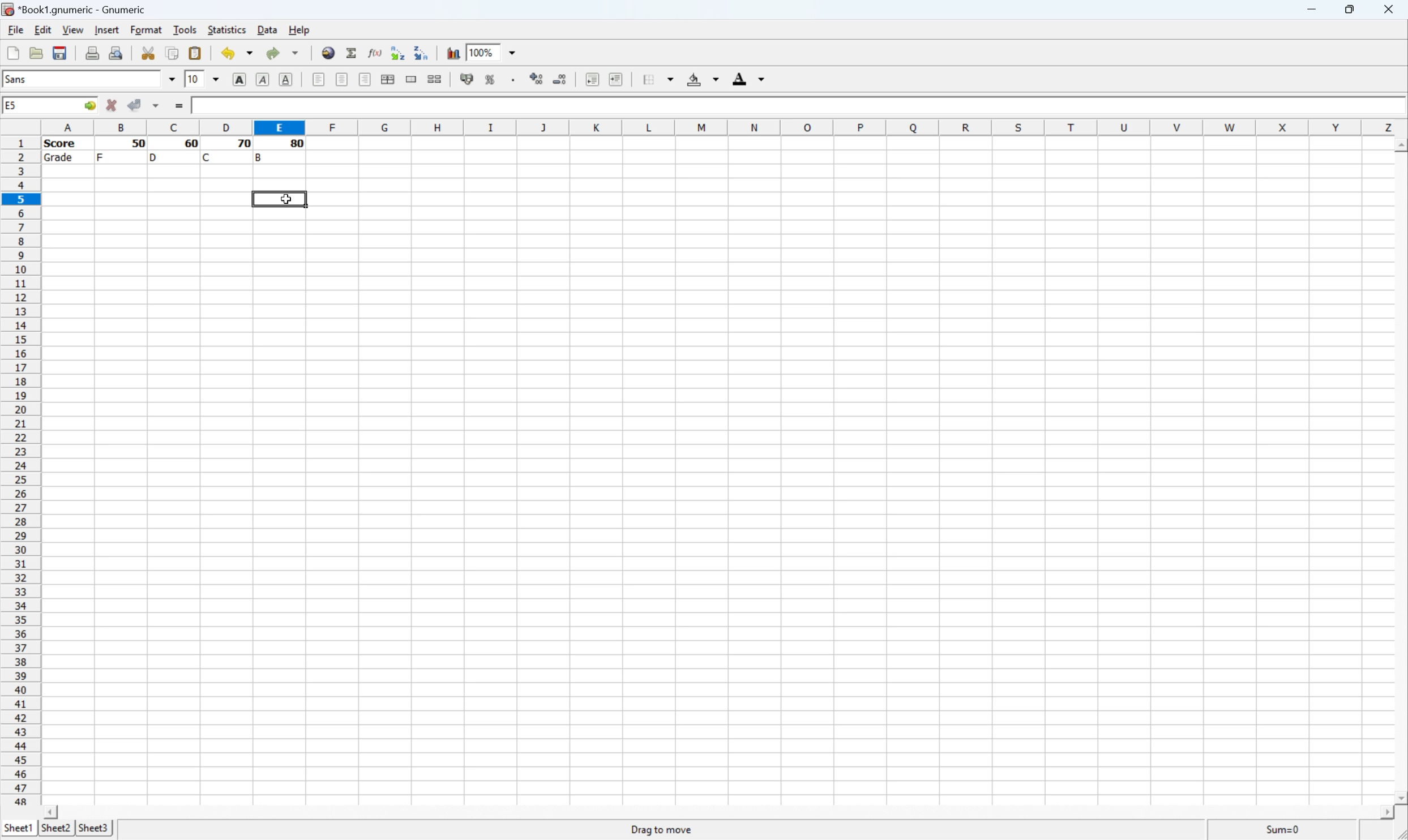 The image size is (1408, 840). What do you see at coordinates (260, 156) in the screenshot?
I see `B` at bounding box center [260, 156].